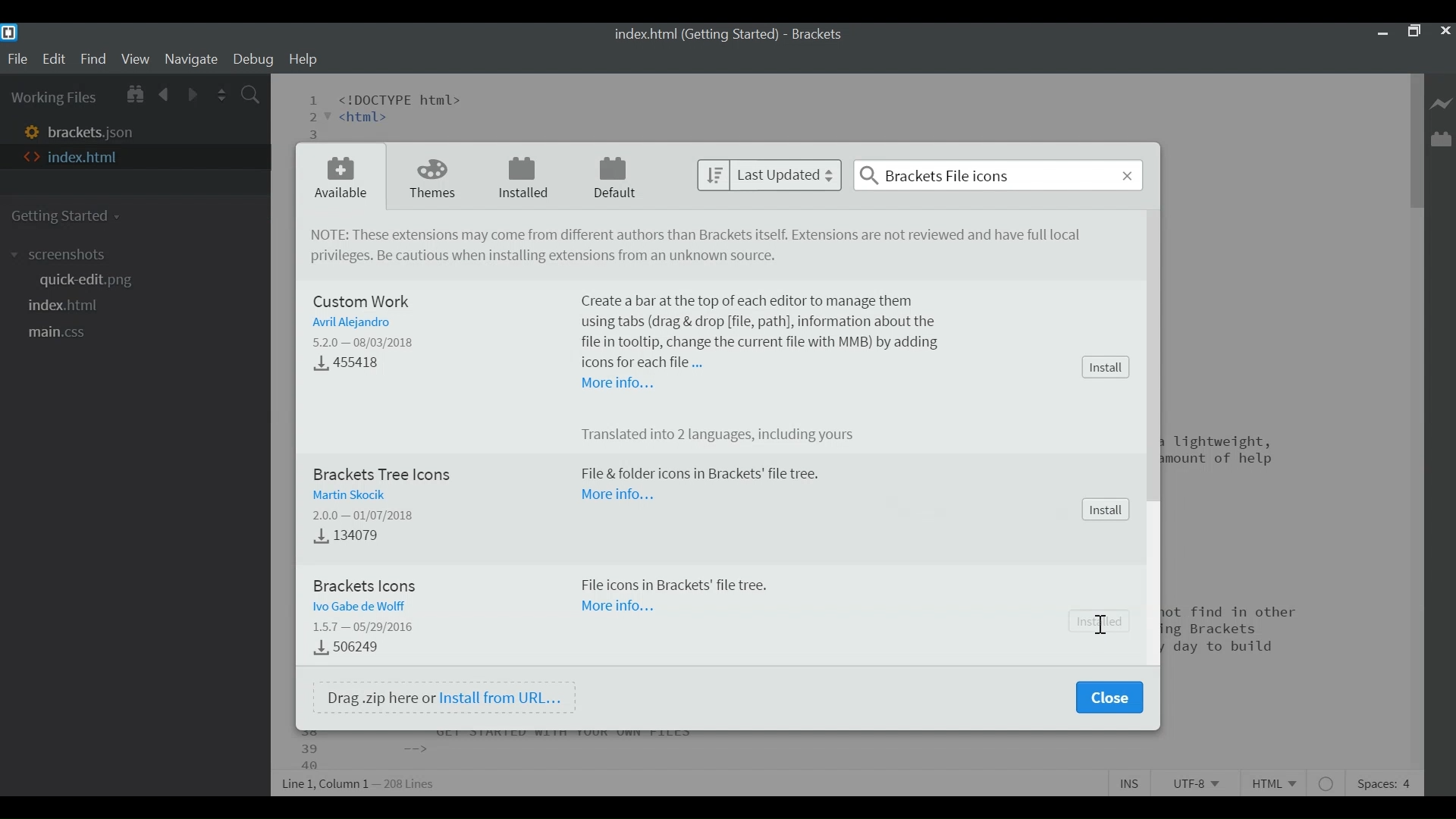  What do you see at coordinates (63, 255) in the screenshot?
I see `screenshot` at bounding box center [63, 255].